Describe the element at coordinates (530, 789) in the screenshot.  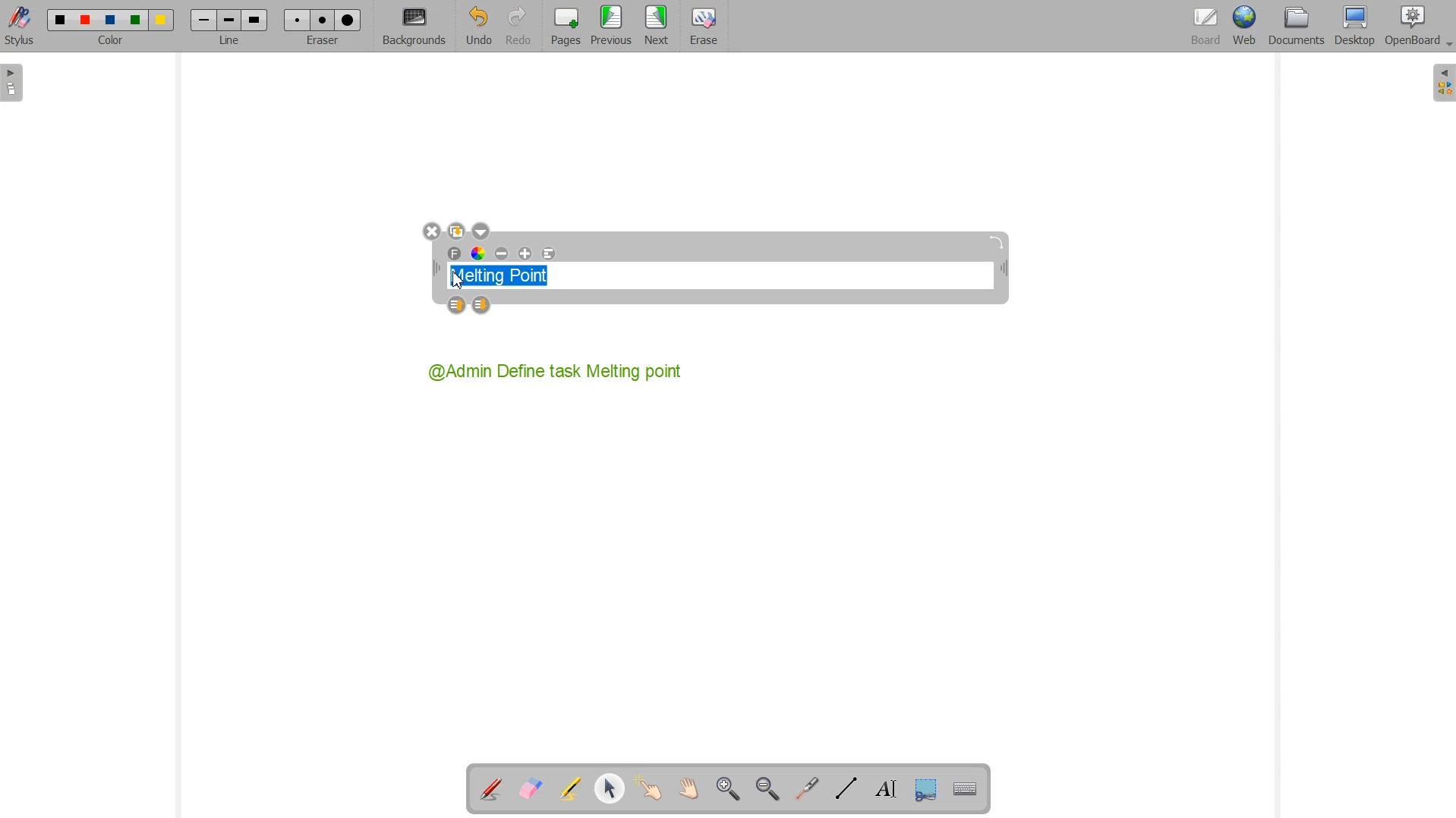
I see `Erase Annotation` at that location.